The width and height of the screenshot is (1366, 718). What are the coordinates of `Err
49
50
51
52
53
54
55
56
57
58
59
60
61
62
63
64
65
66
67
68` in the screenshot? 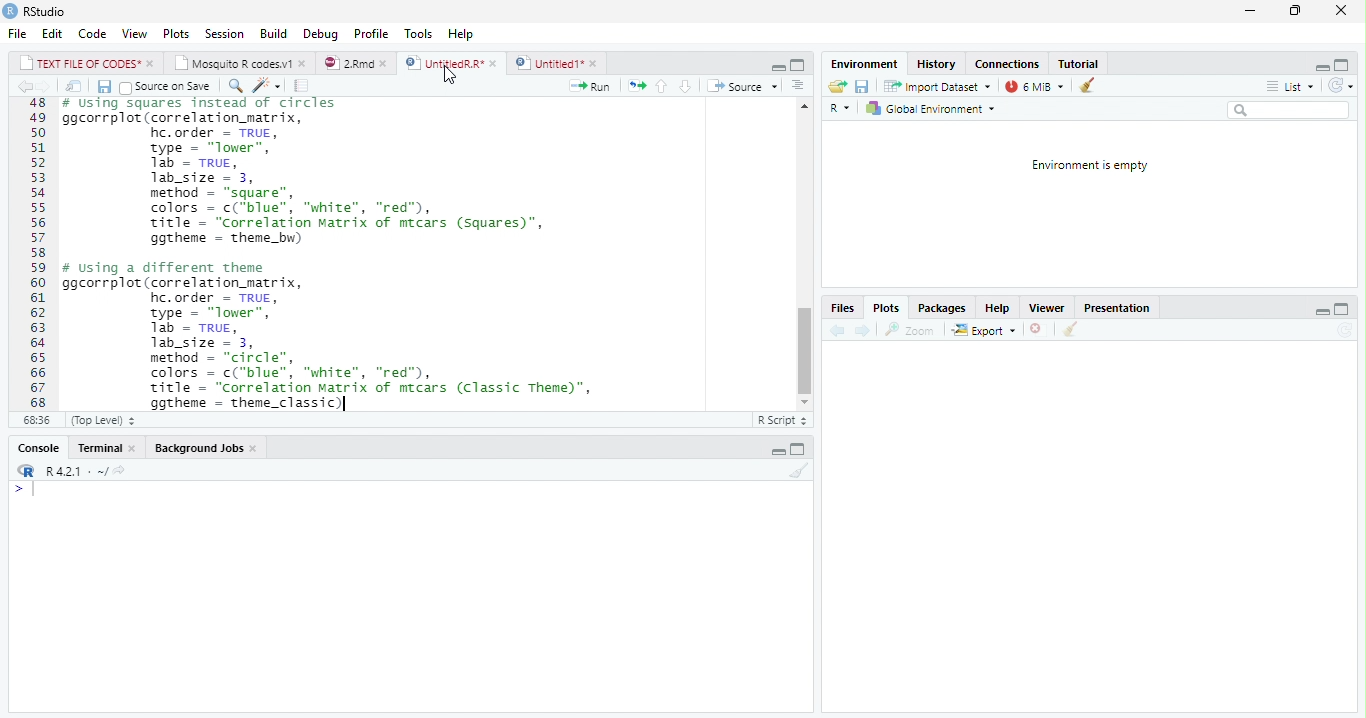 It's located at (32, 254).